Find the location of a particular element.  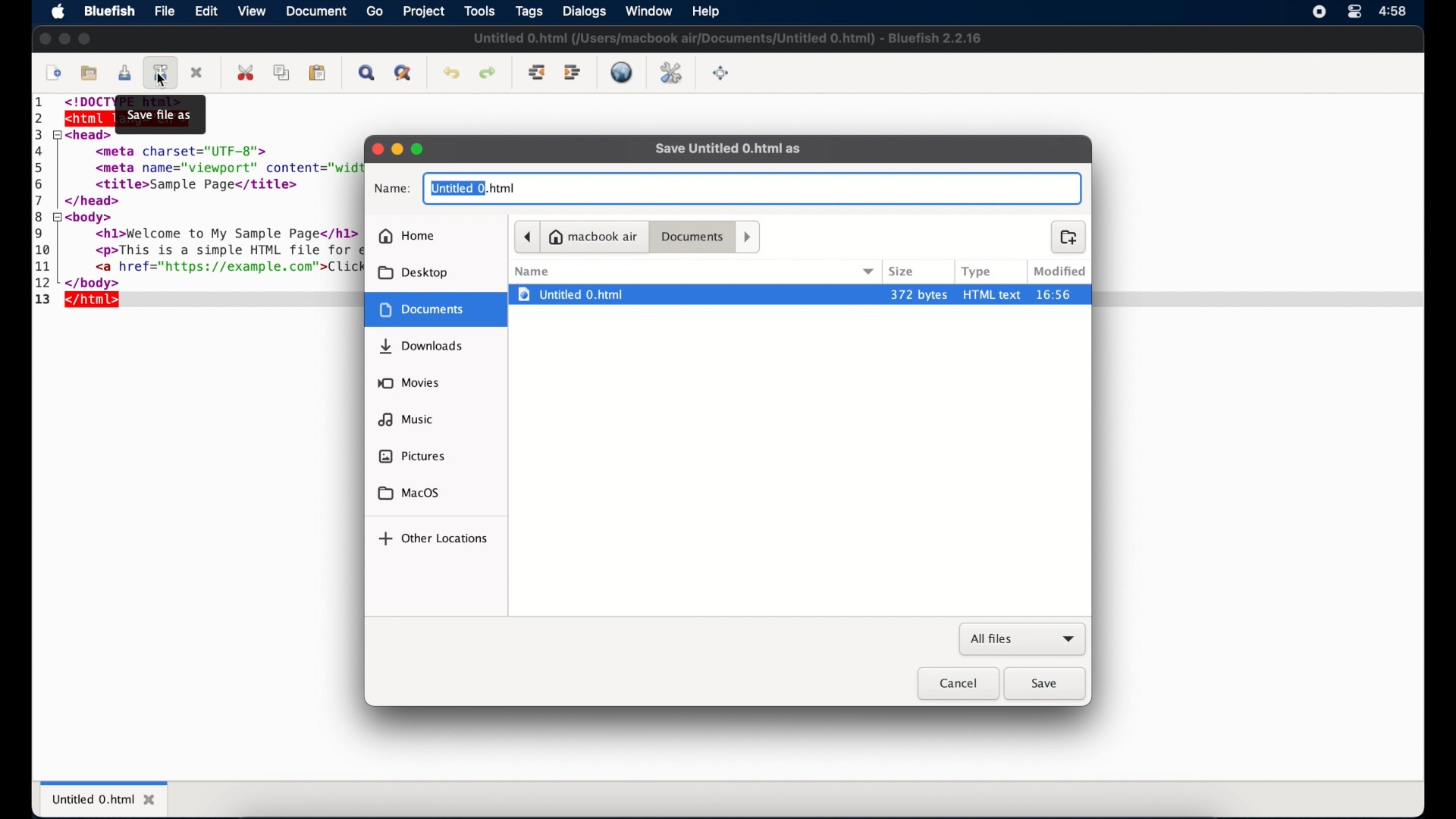

<meta charset="UTF-8"> is located at coordinates (187, 149).